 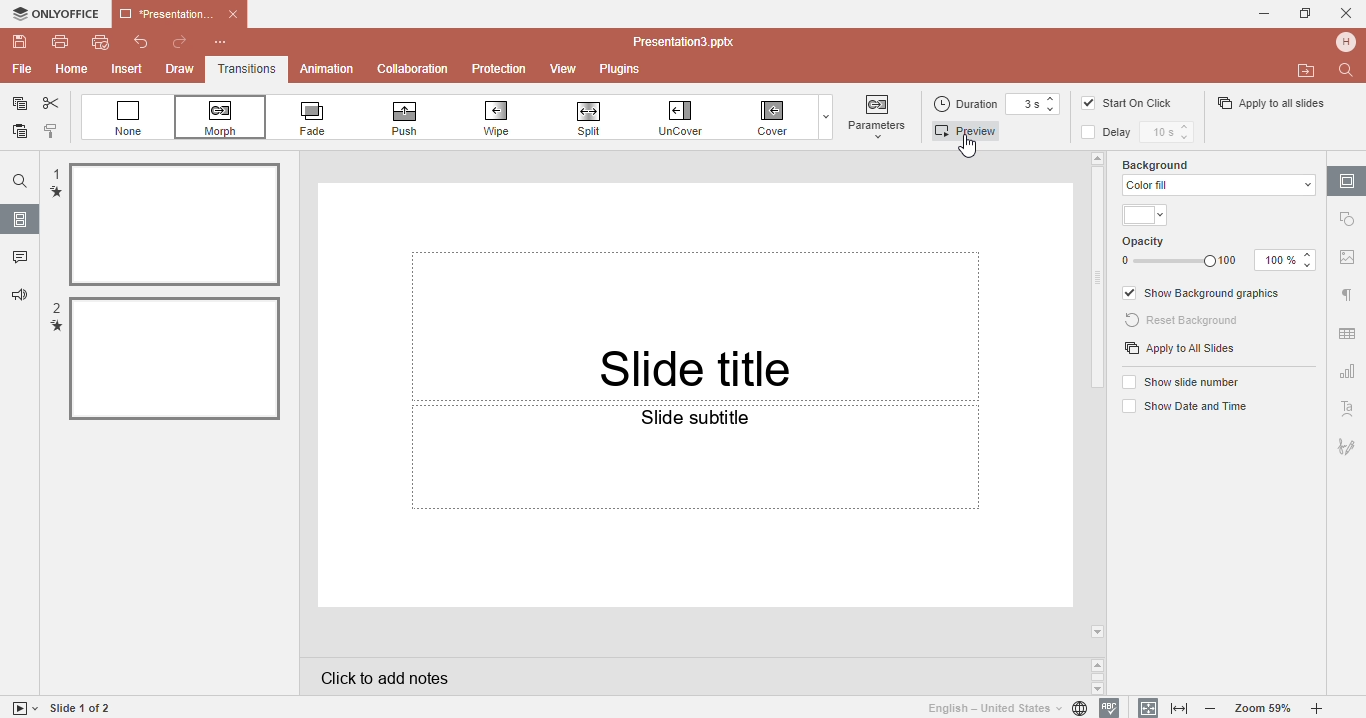 I want to click on Fit to width, so click(x=1181, y=709).